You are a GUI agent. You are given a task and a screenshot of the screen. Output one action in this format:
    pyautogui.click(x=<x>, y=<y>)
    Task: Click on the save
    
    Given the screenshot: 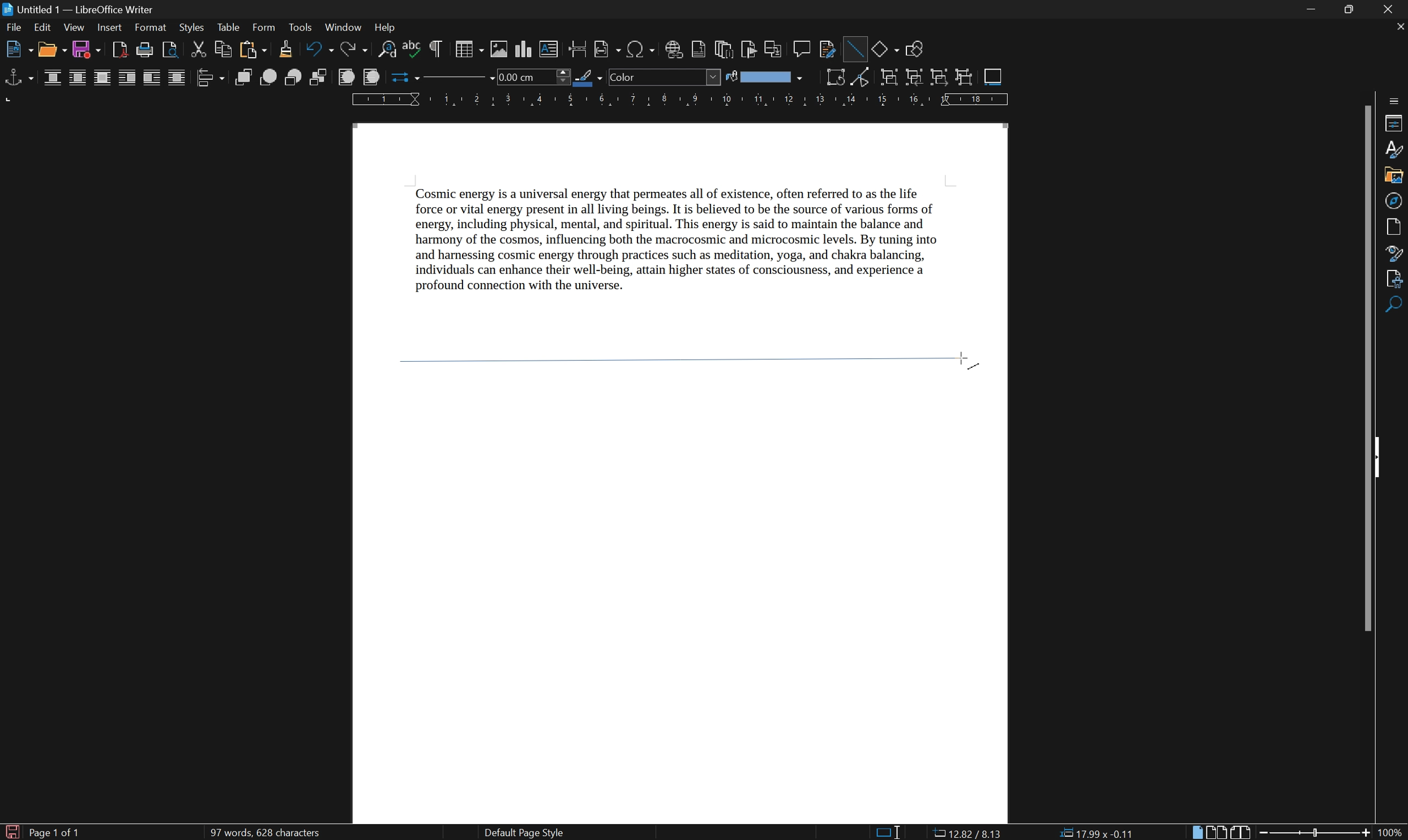 What is the action you would take?
    pyautogui.click(x=88, y=50)
    